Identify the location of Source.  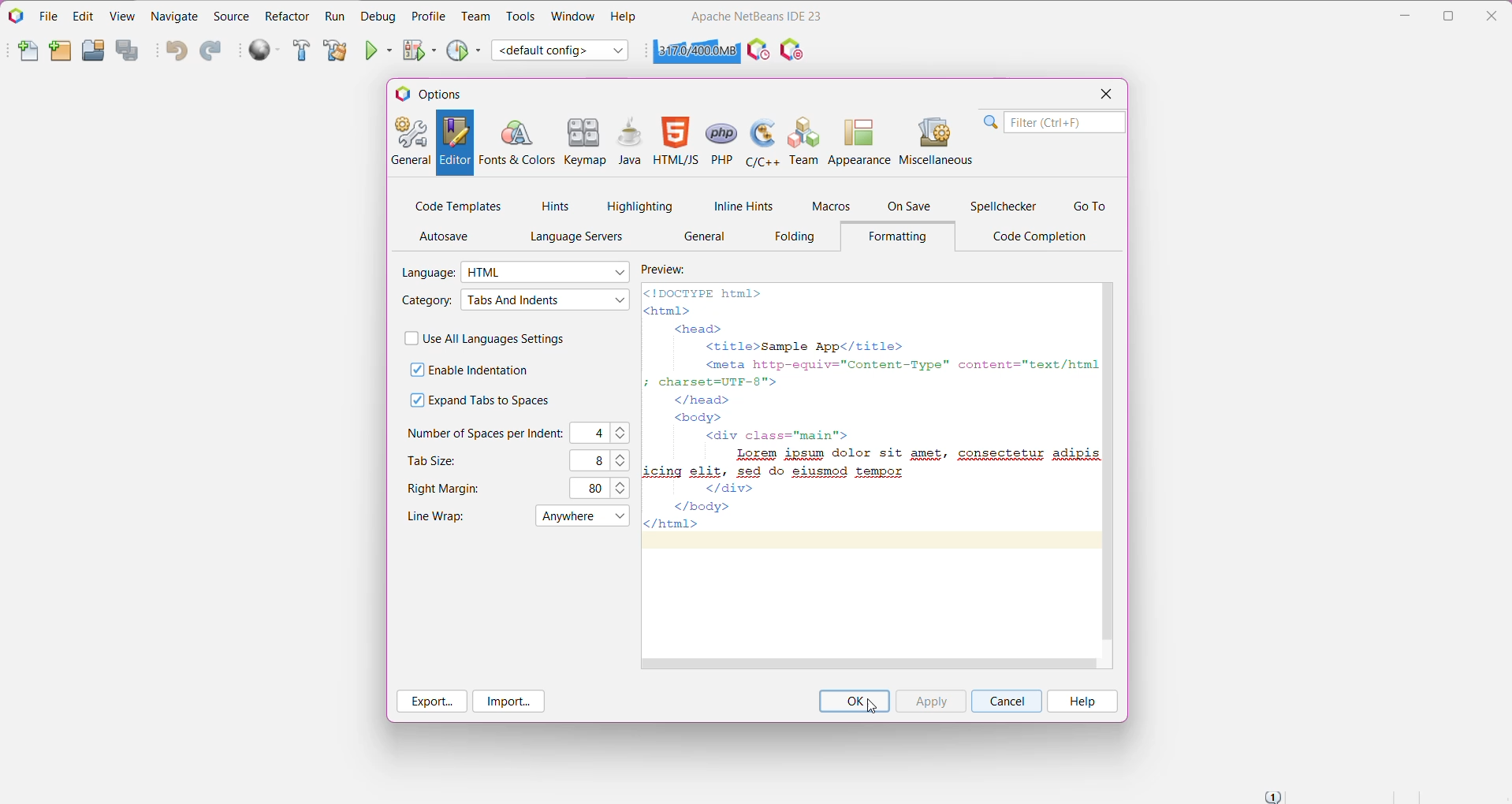
(231, 17).